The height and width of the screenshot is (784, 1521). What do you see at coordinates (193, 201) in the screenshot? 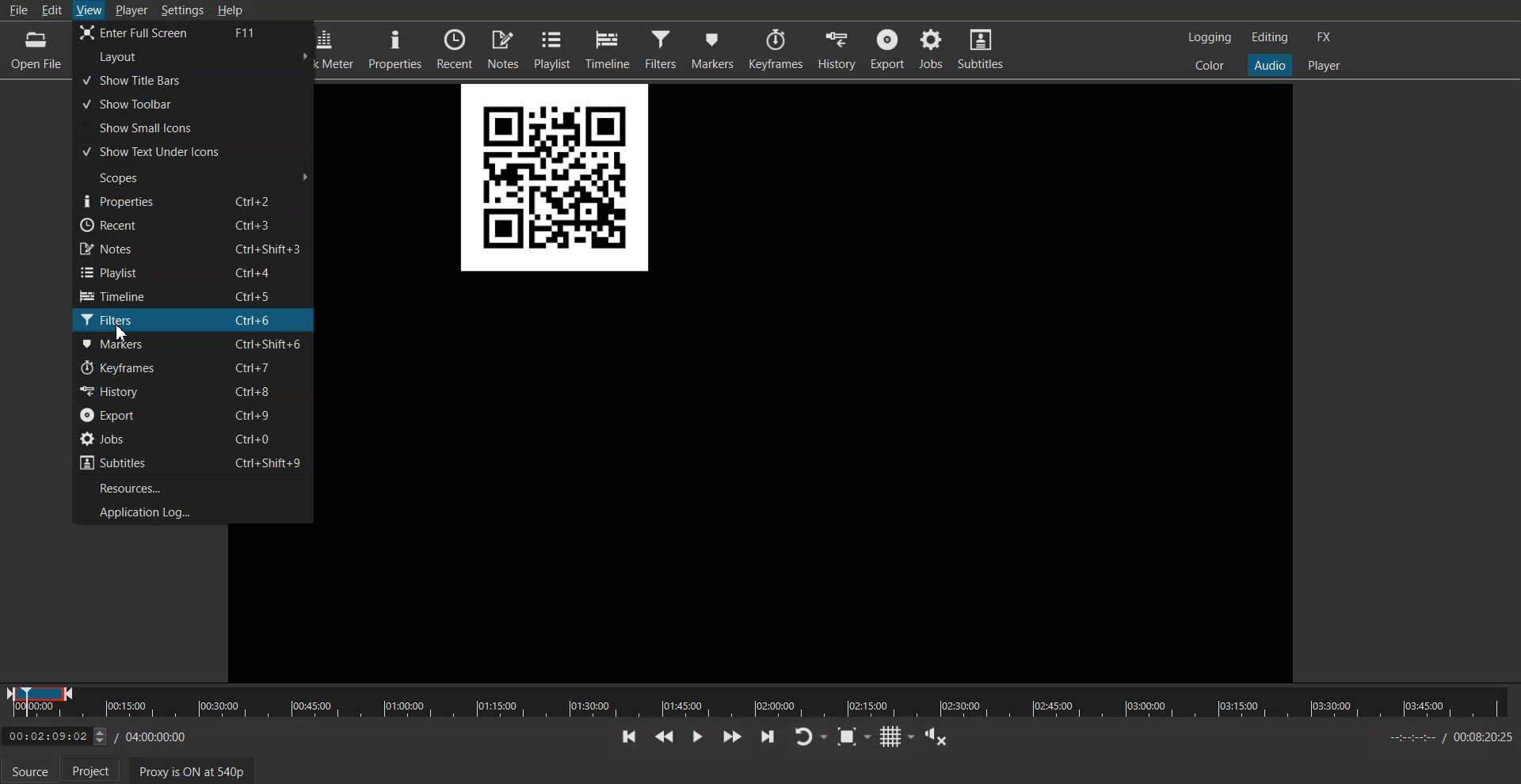
I see `Properties` at bounding box center [193, 201].